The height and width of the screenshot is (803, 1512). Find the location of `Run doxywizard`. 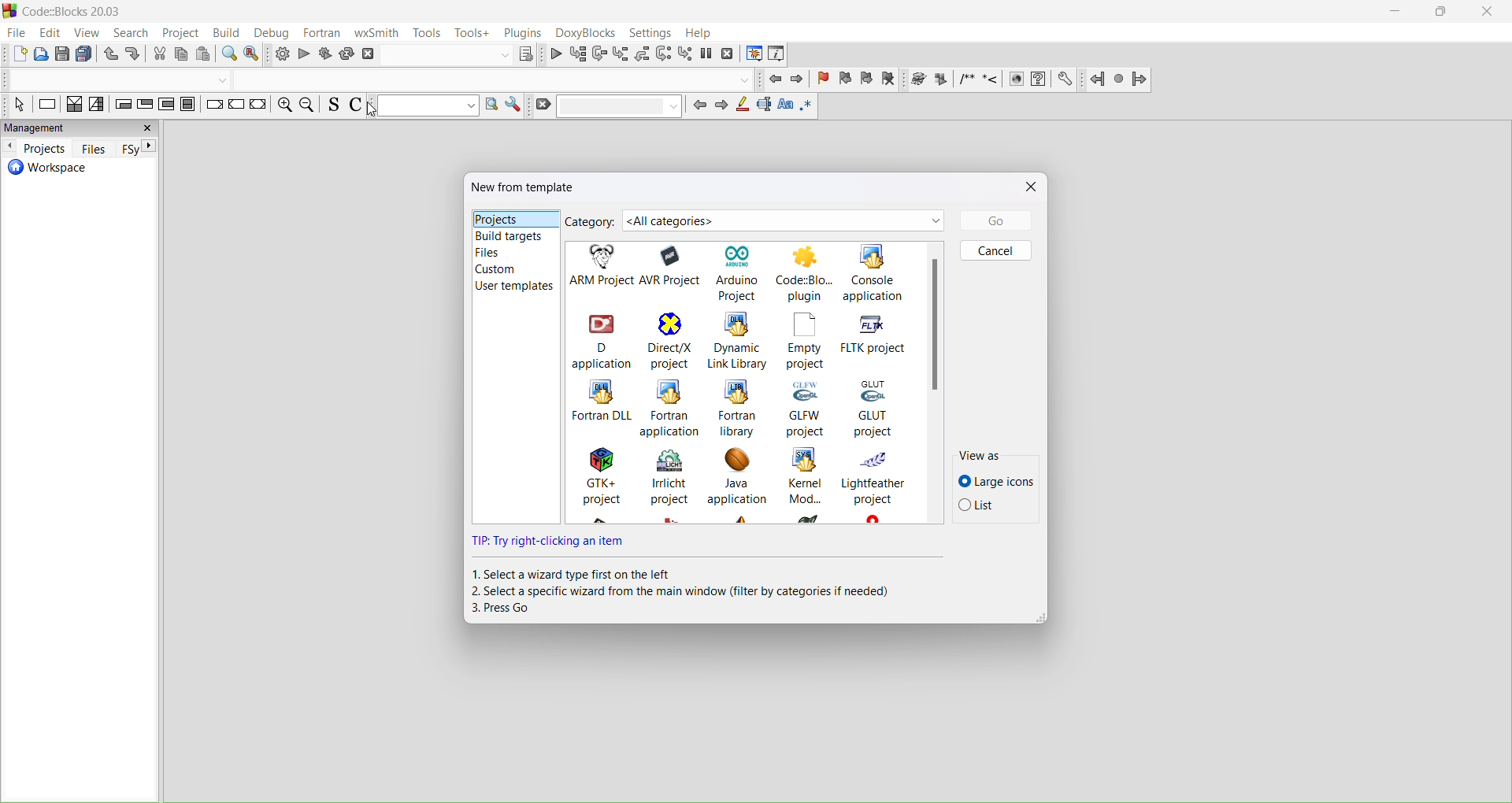

Run doxywizard is located at coordinates (917, 80).